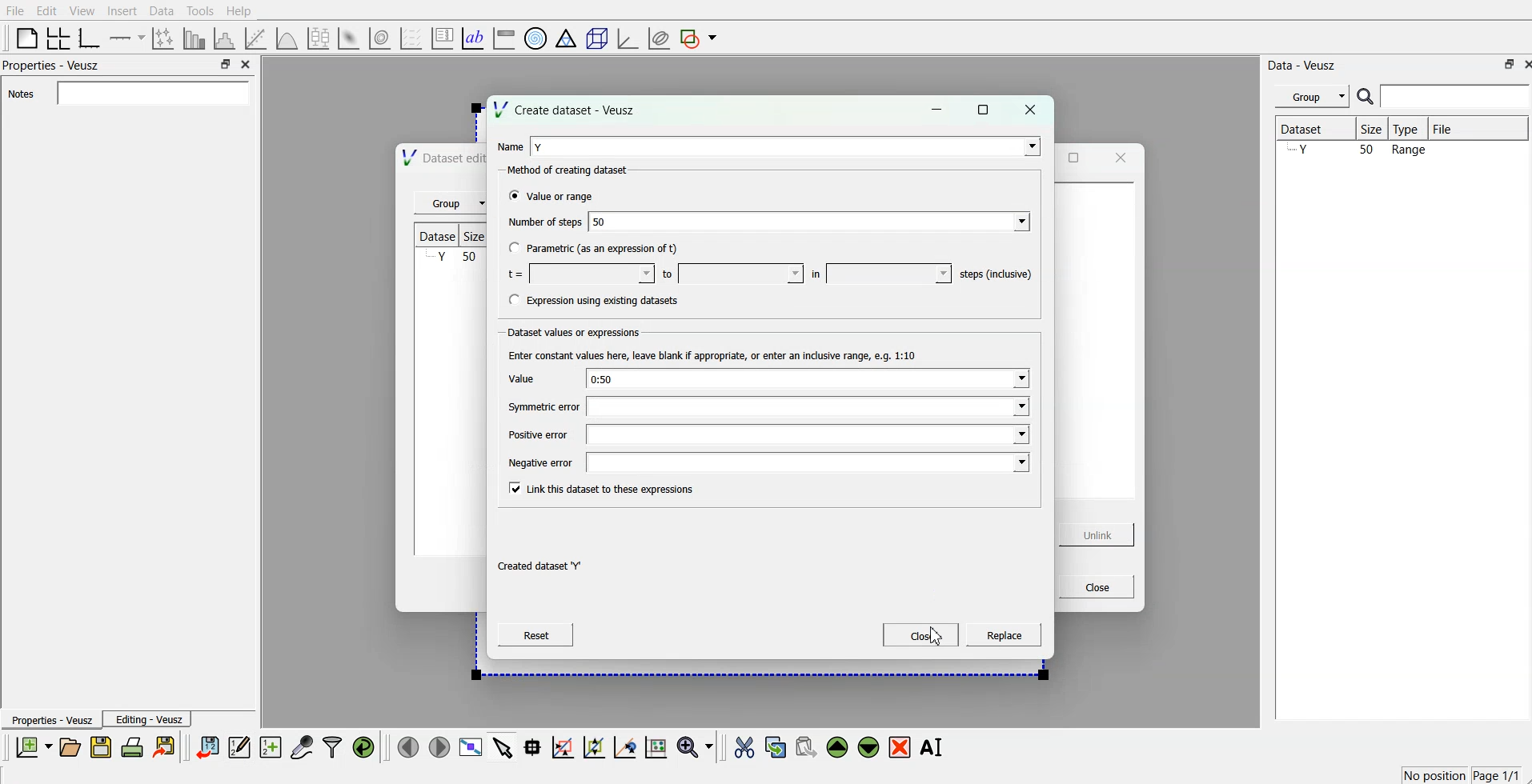 The width and height of the screenshot is (1532, 784). What do you see at coordinates (502, 749) in the screenshot?
I see `select items` at bounding box center [502, 749].